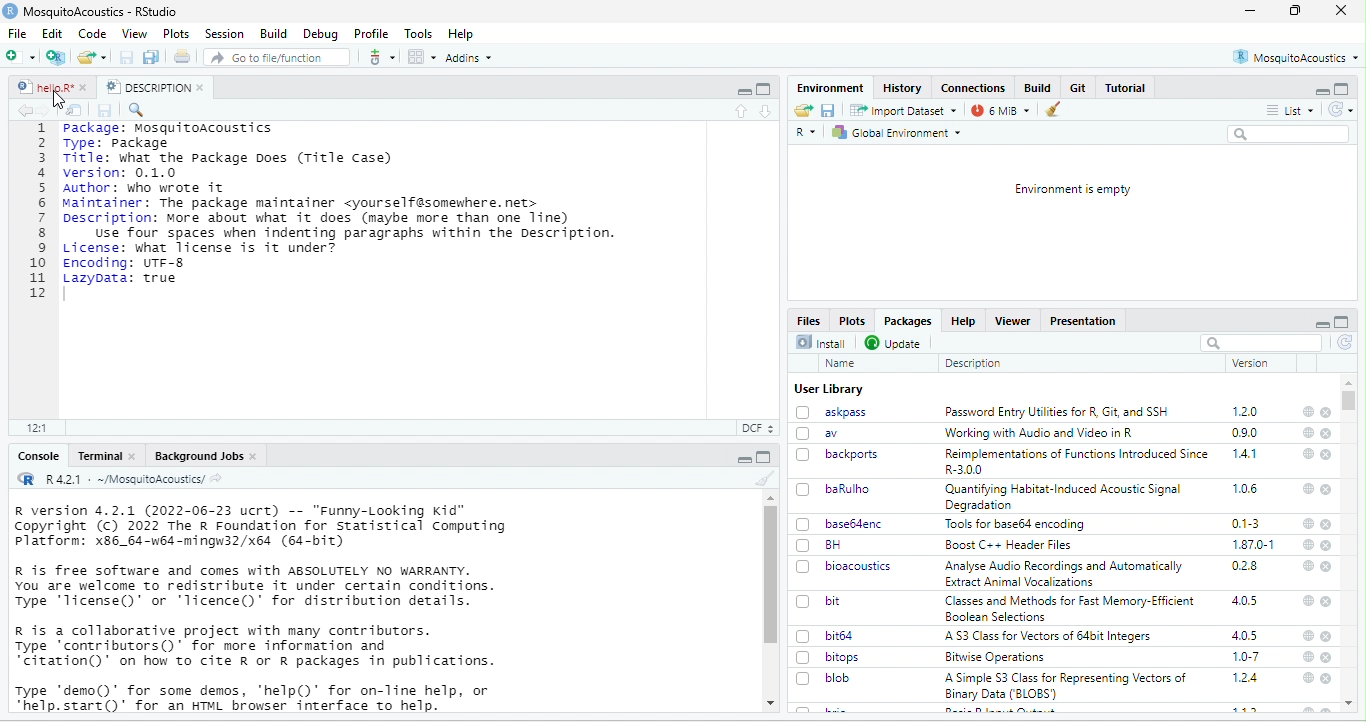  I want to click on Show in new window, so click(74, 110).